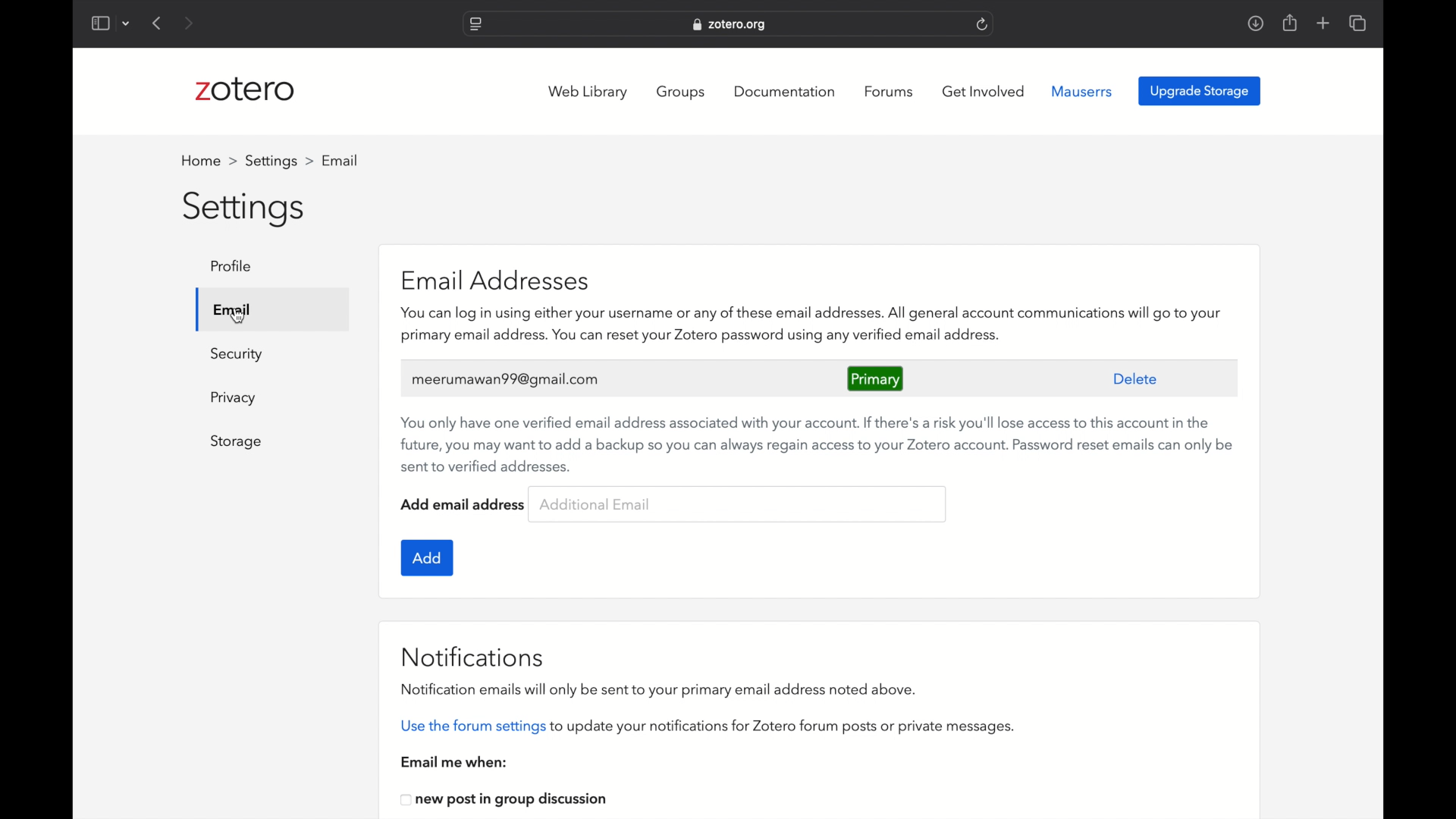  What do you see at coordinates (731, 26) in the screenshot?
I see `web address` at bounding box center [731, 26].